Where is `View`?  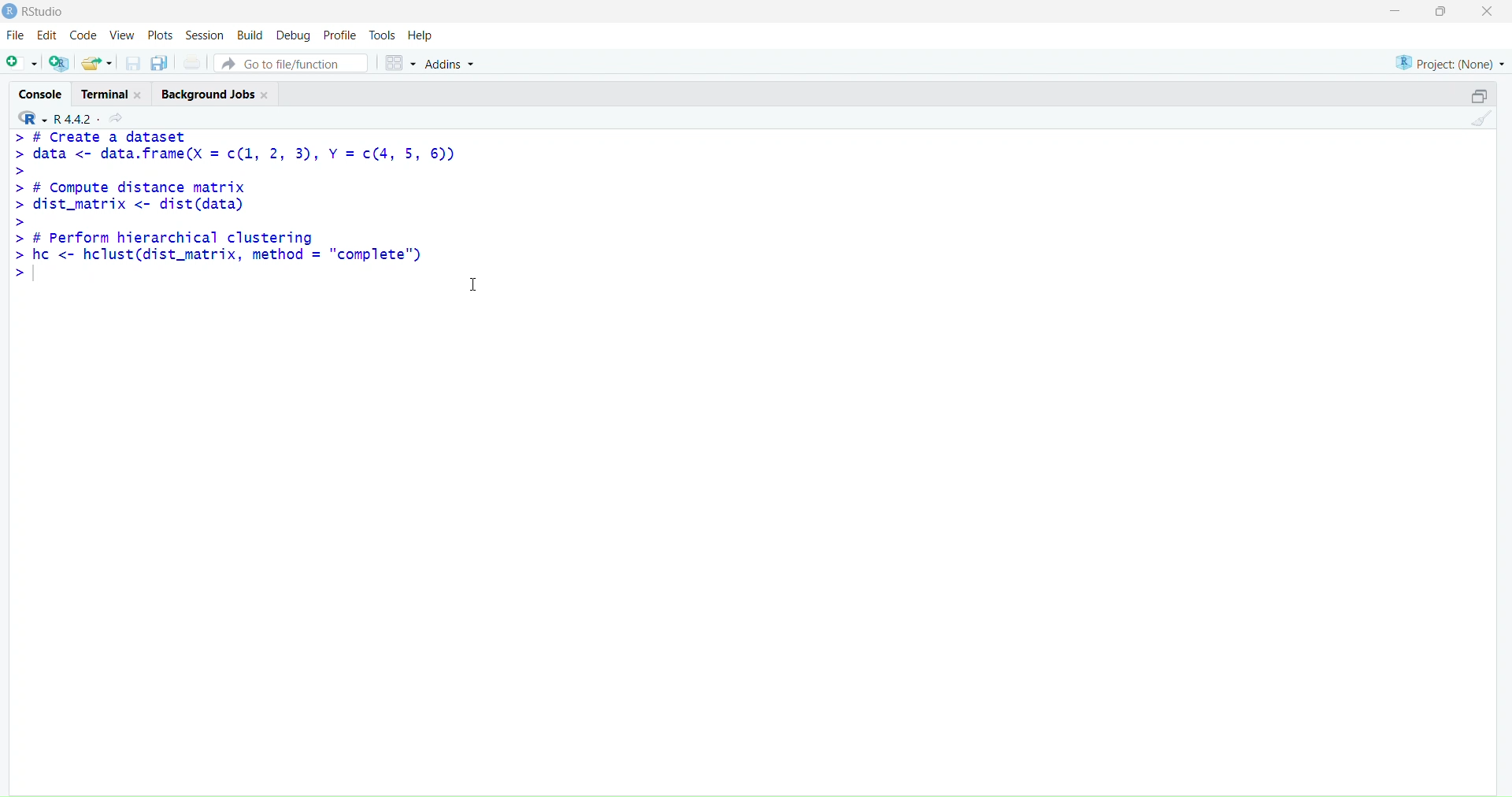
View is located at coordinates (122, 35).